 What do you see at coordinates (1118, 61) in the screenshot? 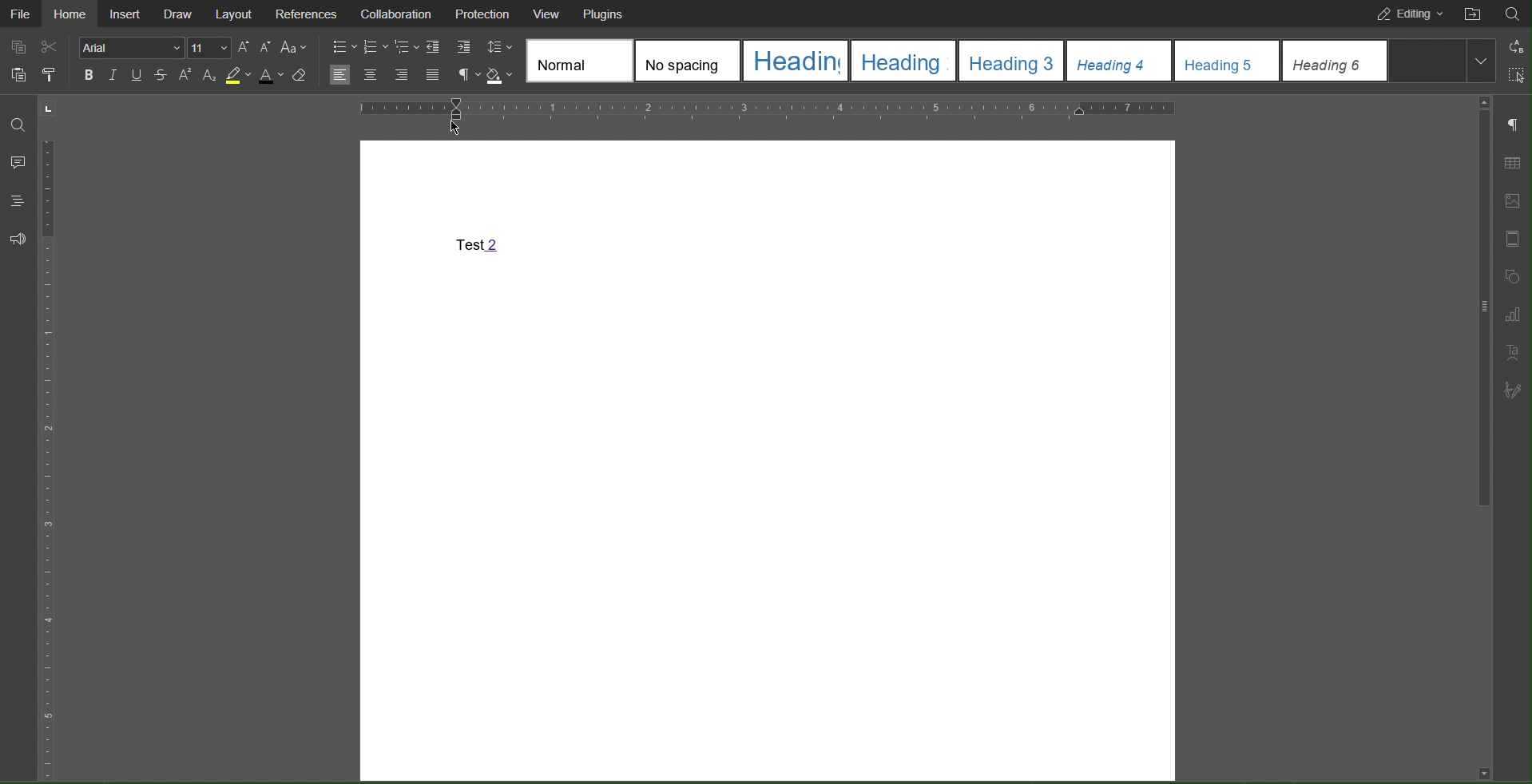
I see `Heading 4` at bounding box center [1118, 61].